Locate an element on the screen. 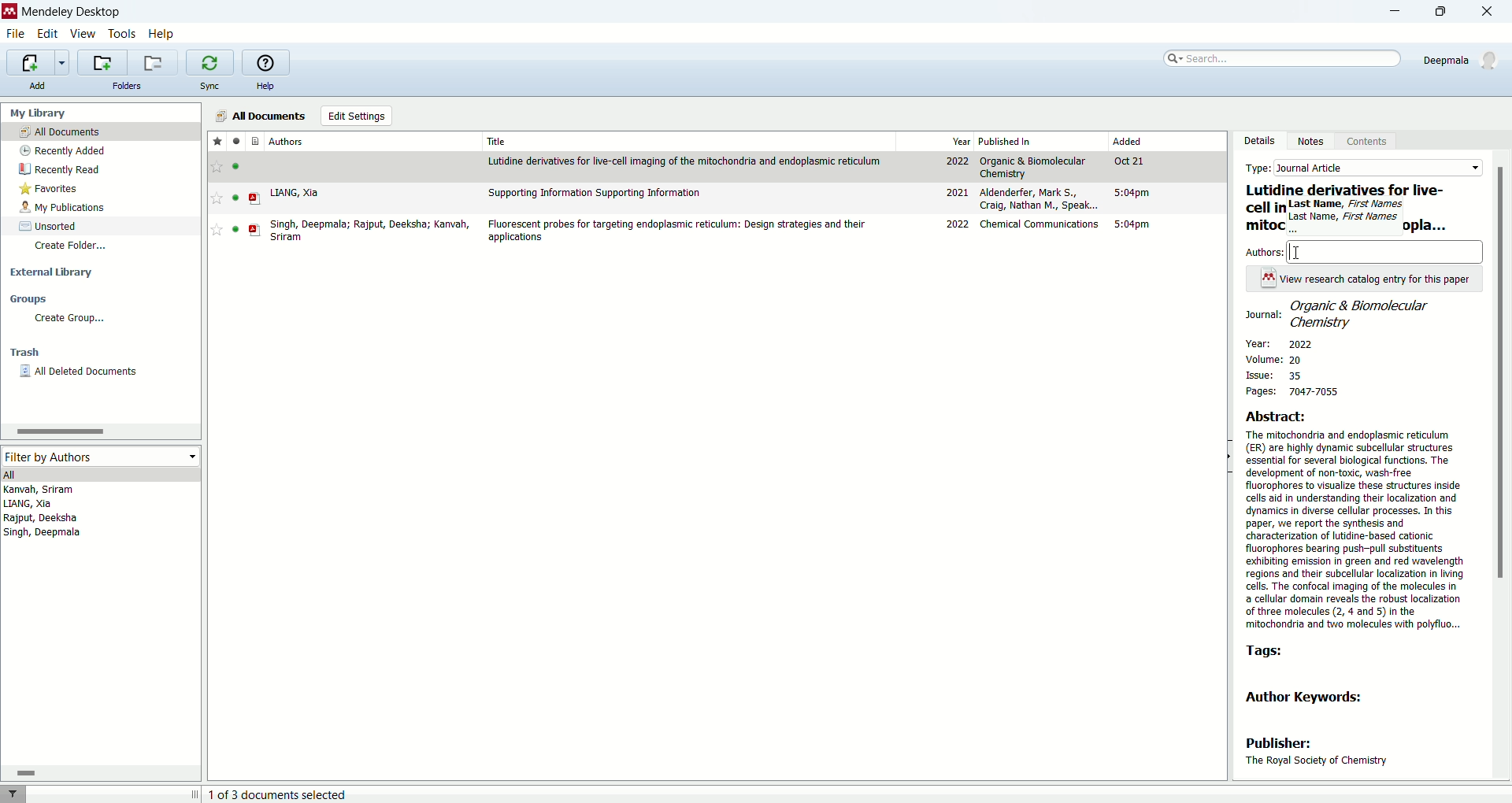  details is located at coordinates (1254, 143).